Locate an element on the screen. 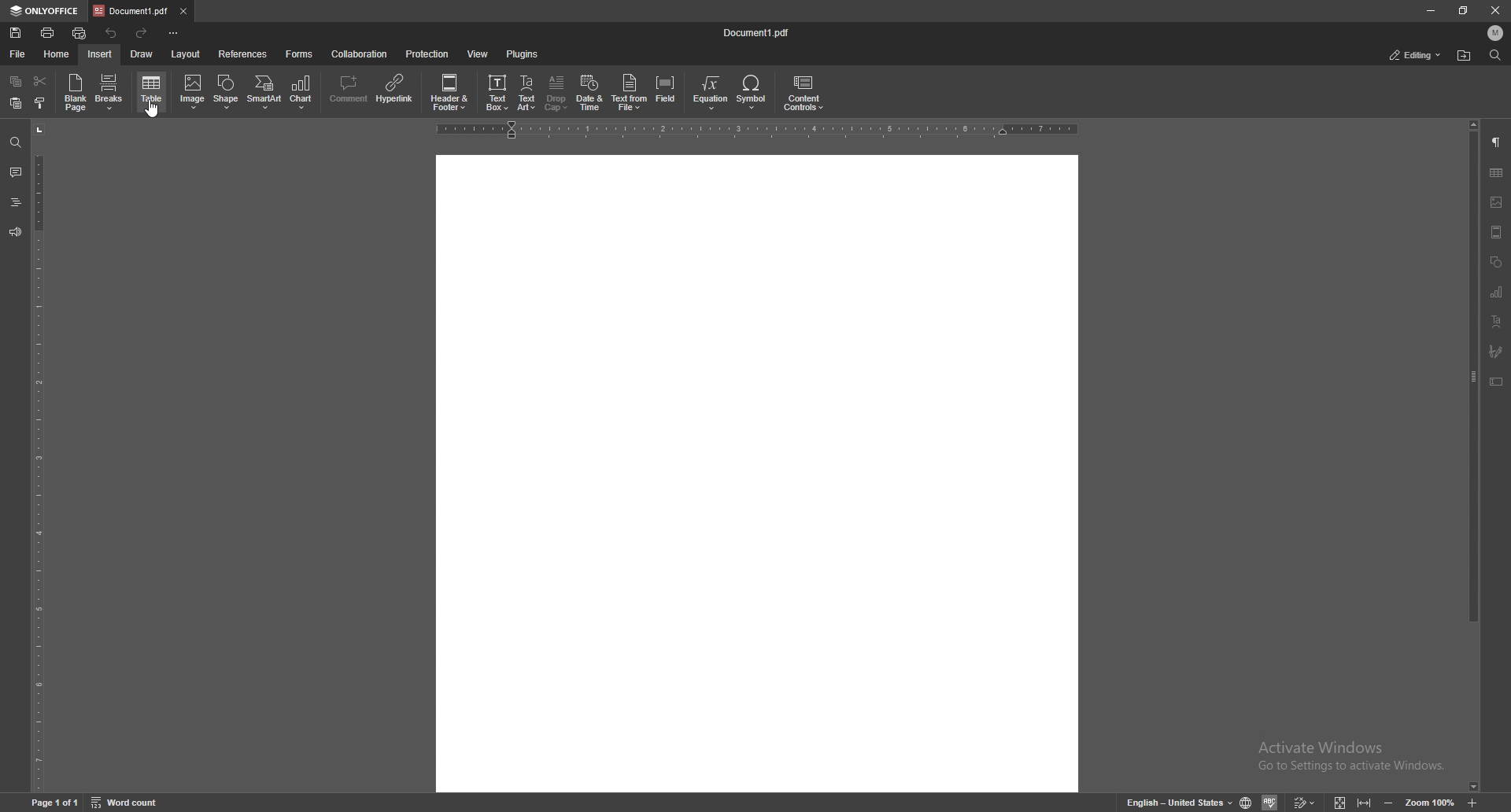  find location is located at coordinates (1465, 55).